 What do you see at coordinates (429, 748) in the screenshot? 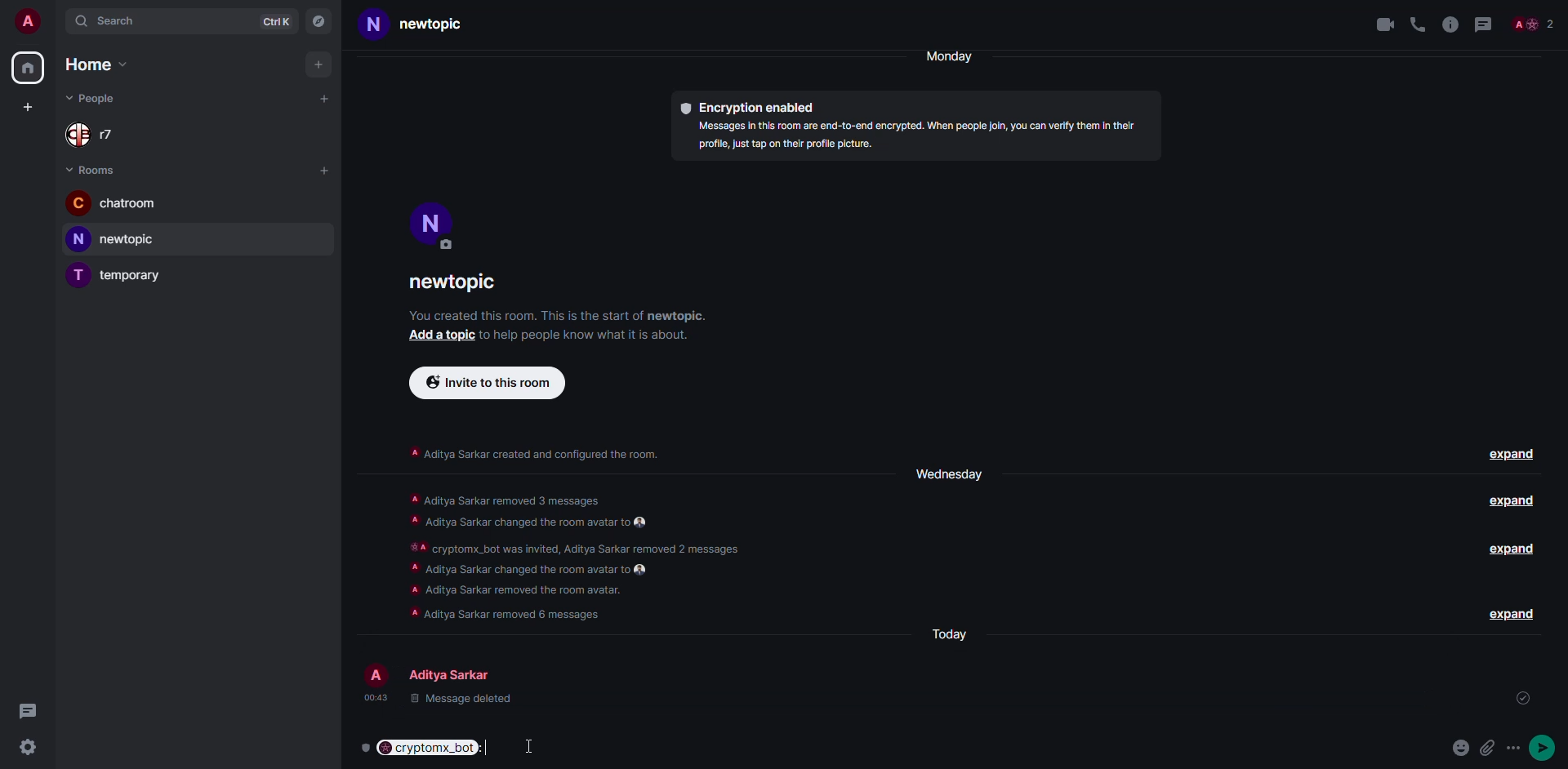
I see `cryptomx_bot` at bounding box center [429, 748].